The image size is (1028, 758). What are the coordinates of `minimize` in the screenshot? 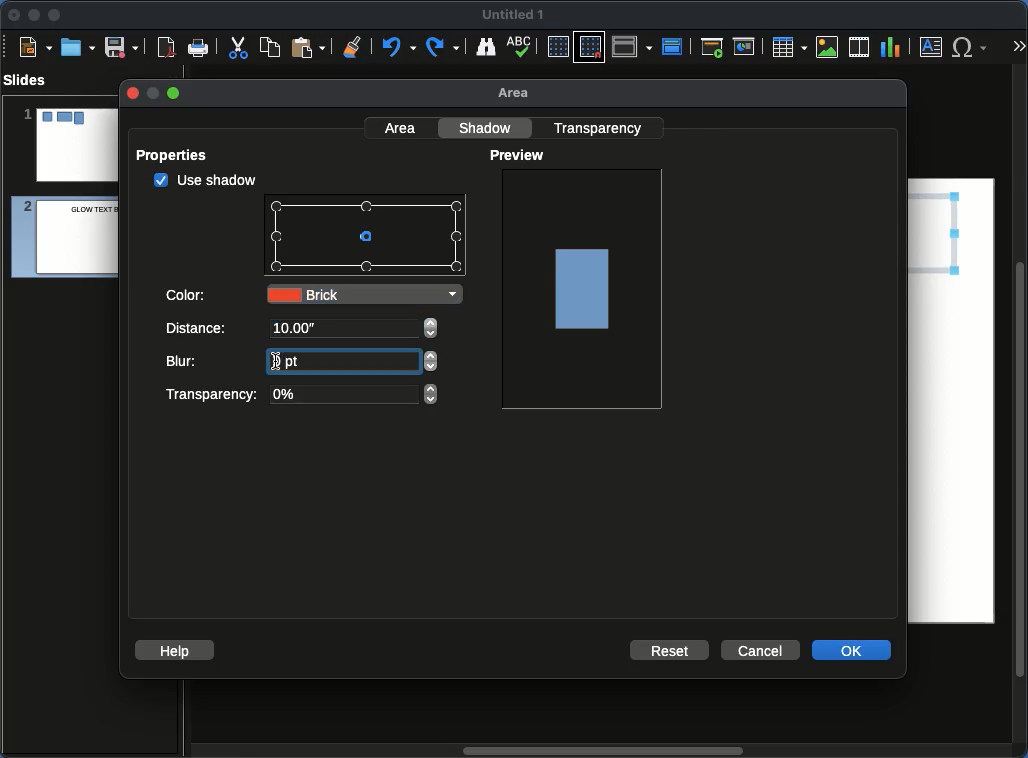 It's located at (151, 93).